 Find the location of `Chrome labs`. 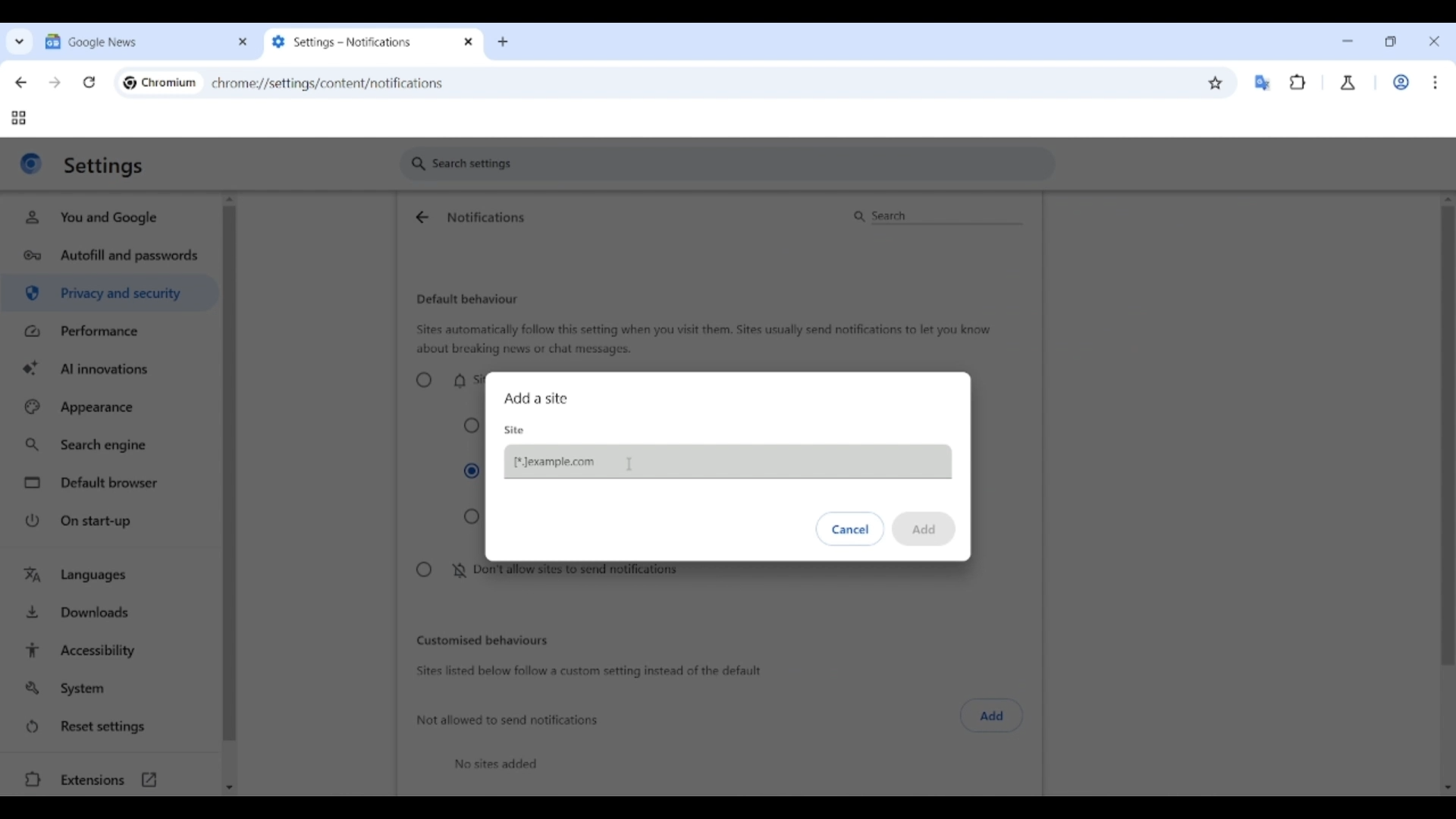

Chrome labs is located at coordinates (1348, 83).